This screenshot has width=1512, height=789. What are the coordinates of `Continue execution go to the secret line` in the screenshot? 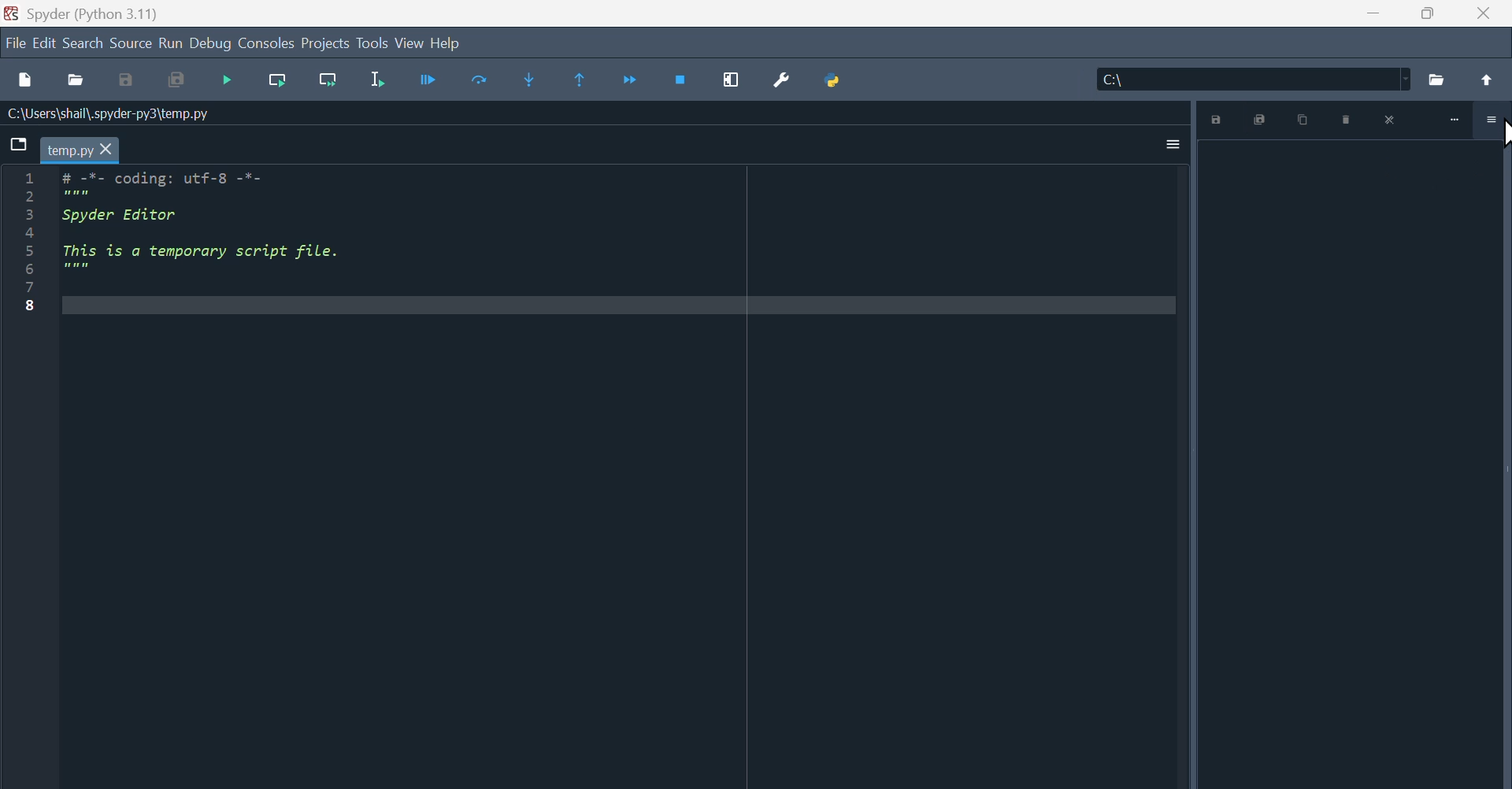 It's located at (581, 80).